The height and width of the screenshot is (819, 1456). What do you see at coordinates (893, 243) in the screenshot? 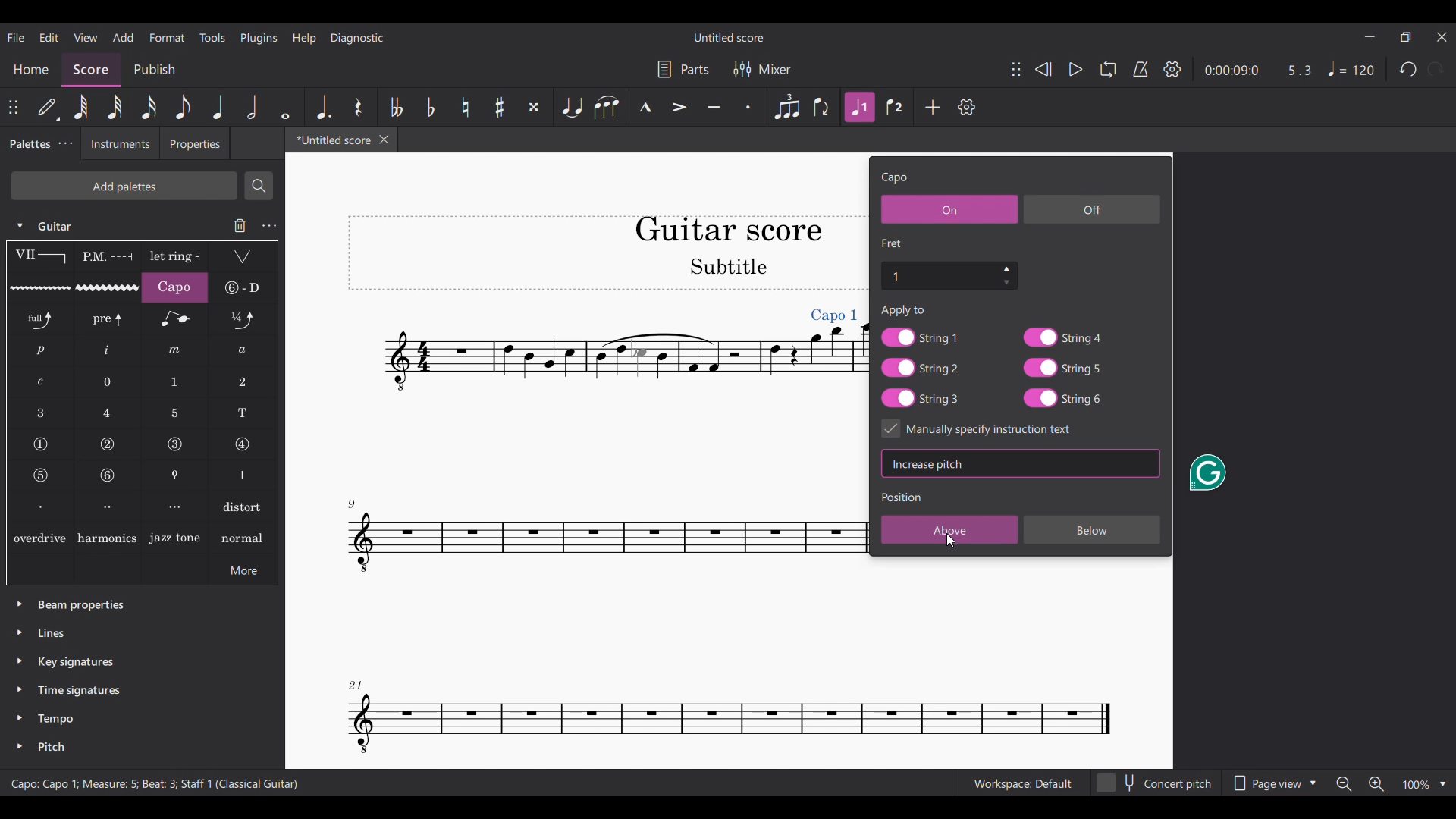
I see `Section title` at bounding box center [893, 243].